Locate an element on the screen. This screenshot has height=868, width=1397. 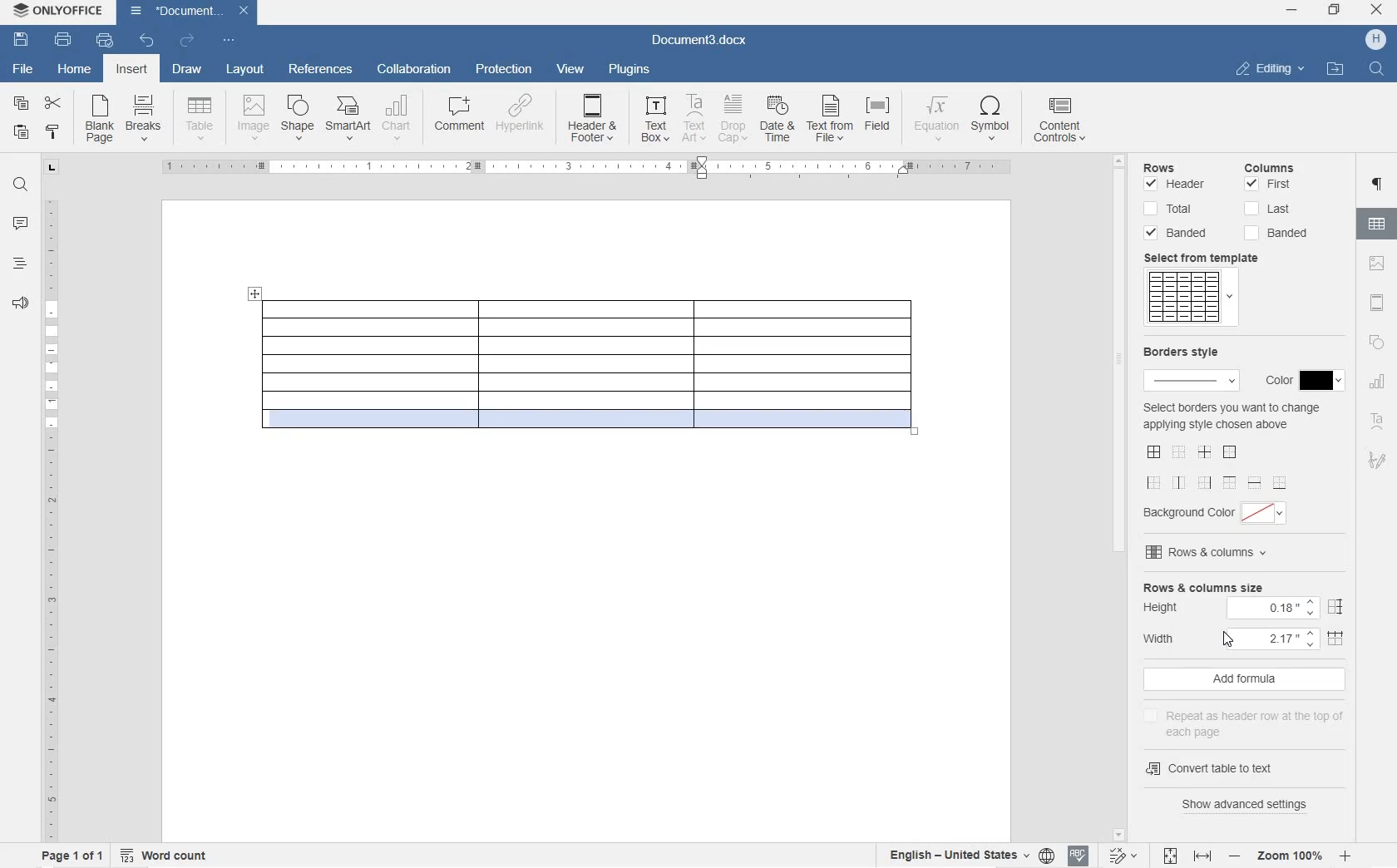
BREAKS is located at coordinates (146, 119).